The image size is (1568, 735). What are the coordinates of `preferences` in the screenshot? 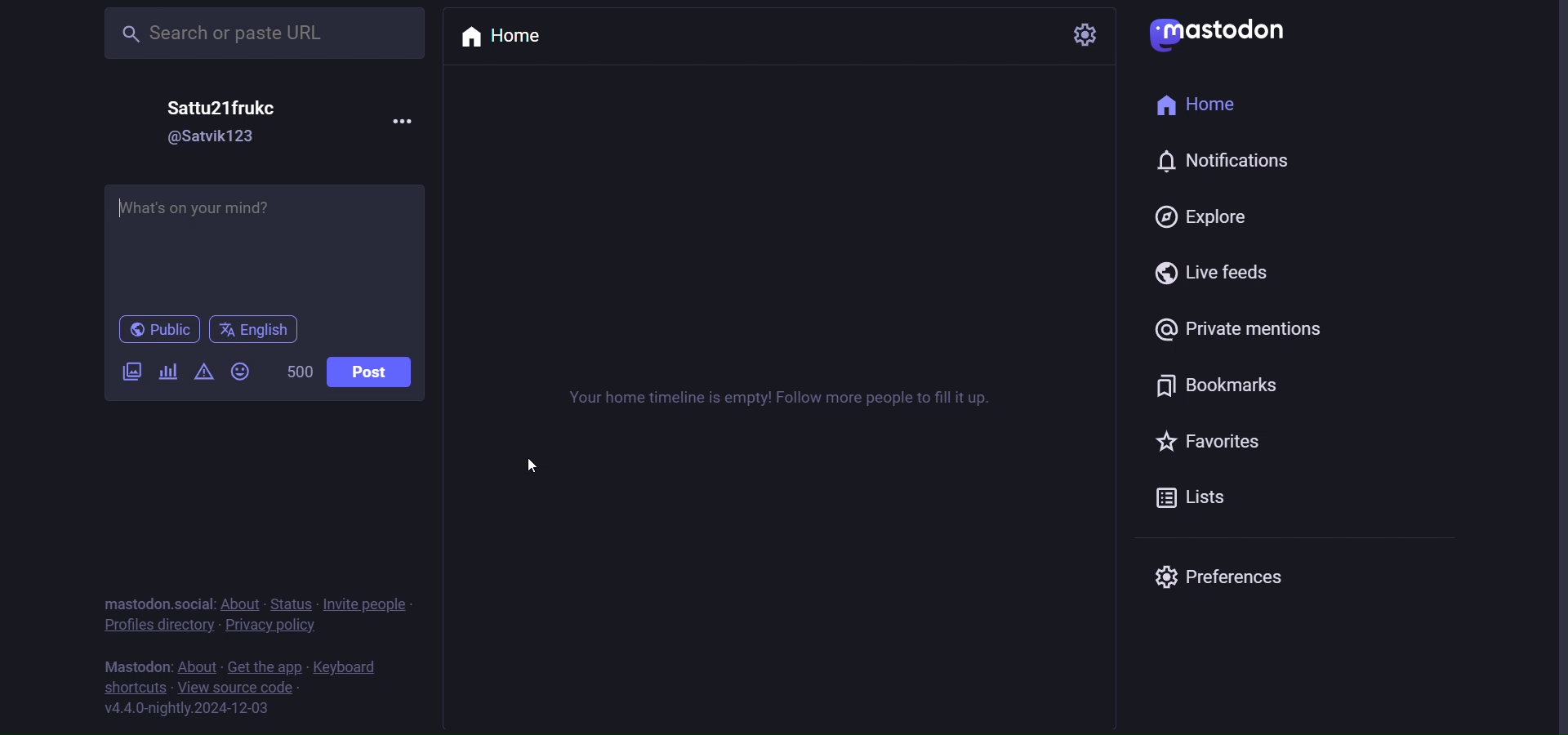 It's located at (1226, 579).